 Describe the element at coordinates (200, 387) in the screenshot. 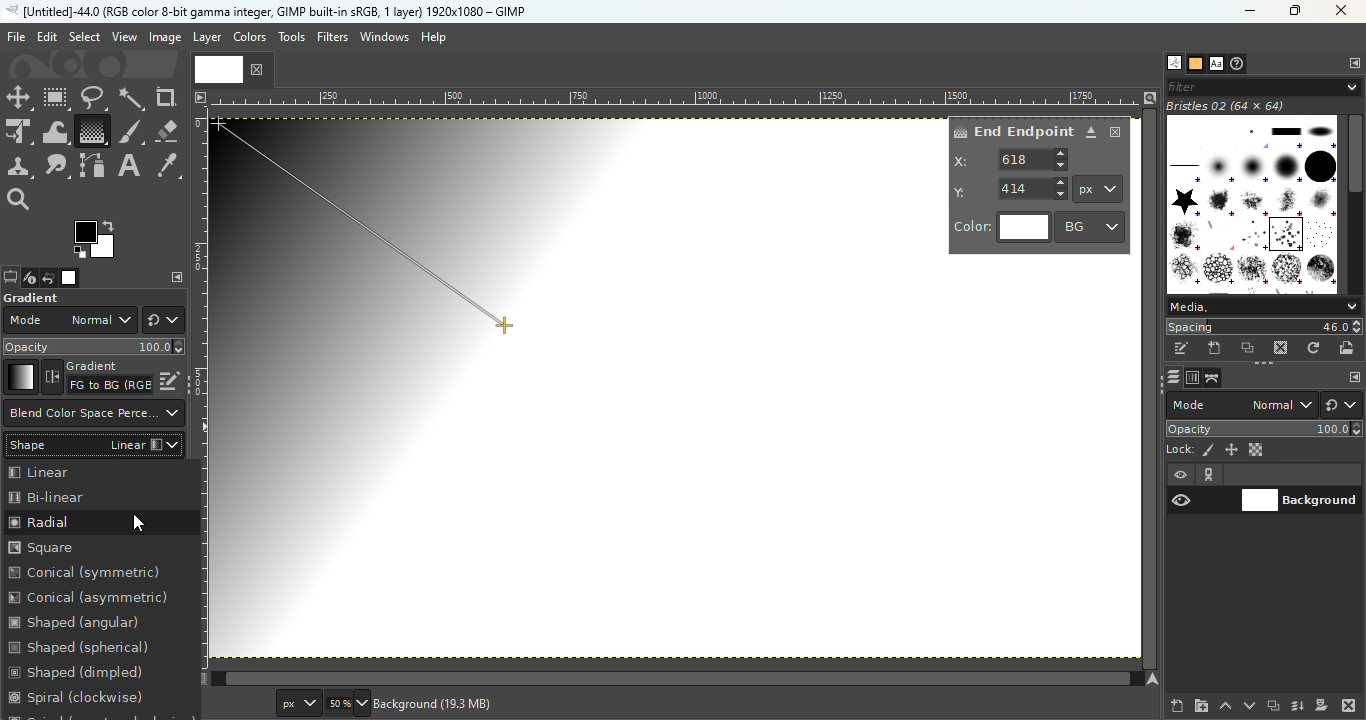

I see `Vertical ruler` at that location.